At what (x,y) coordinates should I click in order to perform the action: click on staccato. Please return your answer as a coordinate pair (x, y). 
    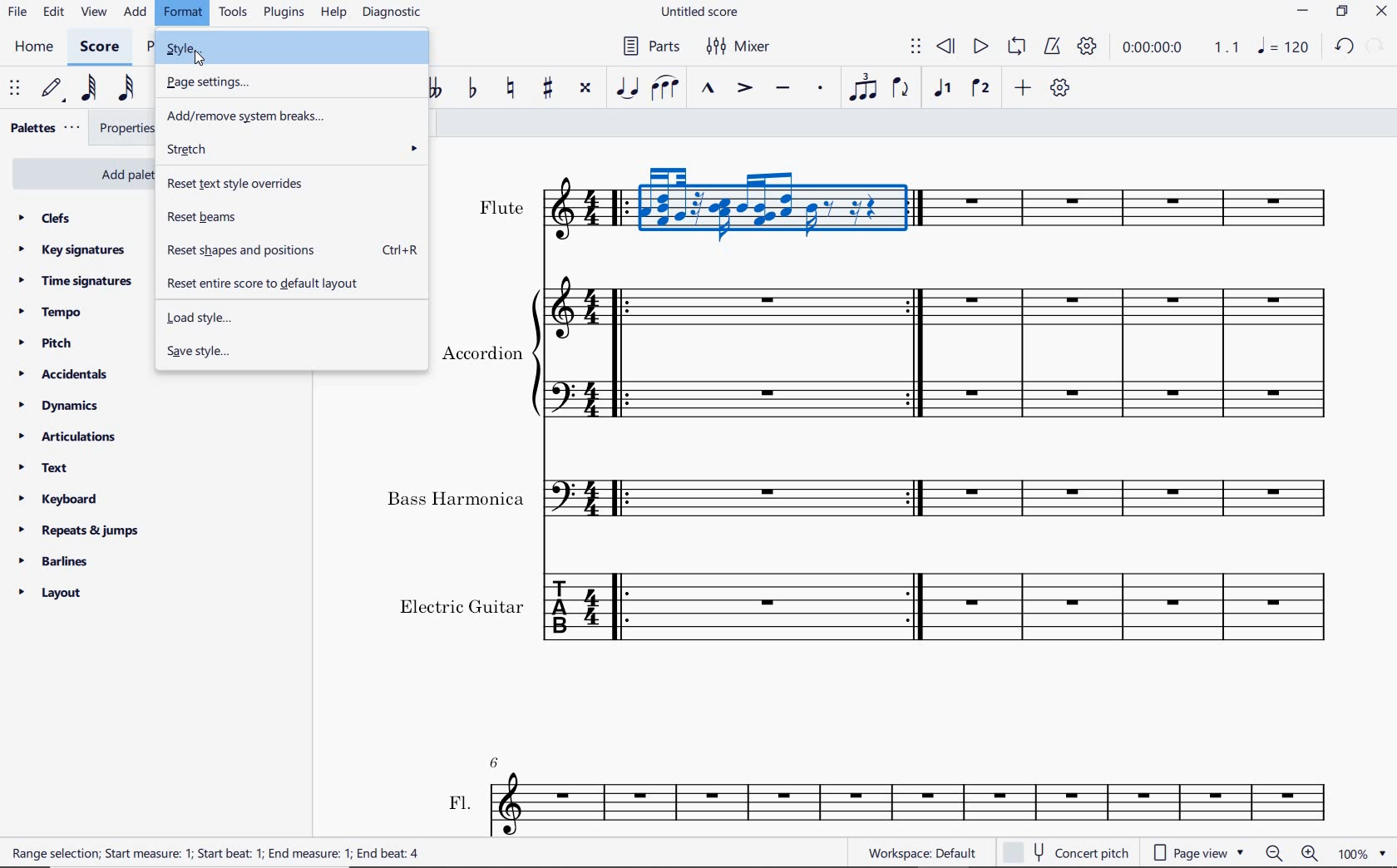
    Looking at the image, I should click on (822, 91).